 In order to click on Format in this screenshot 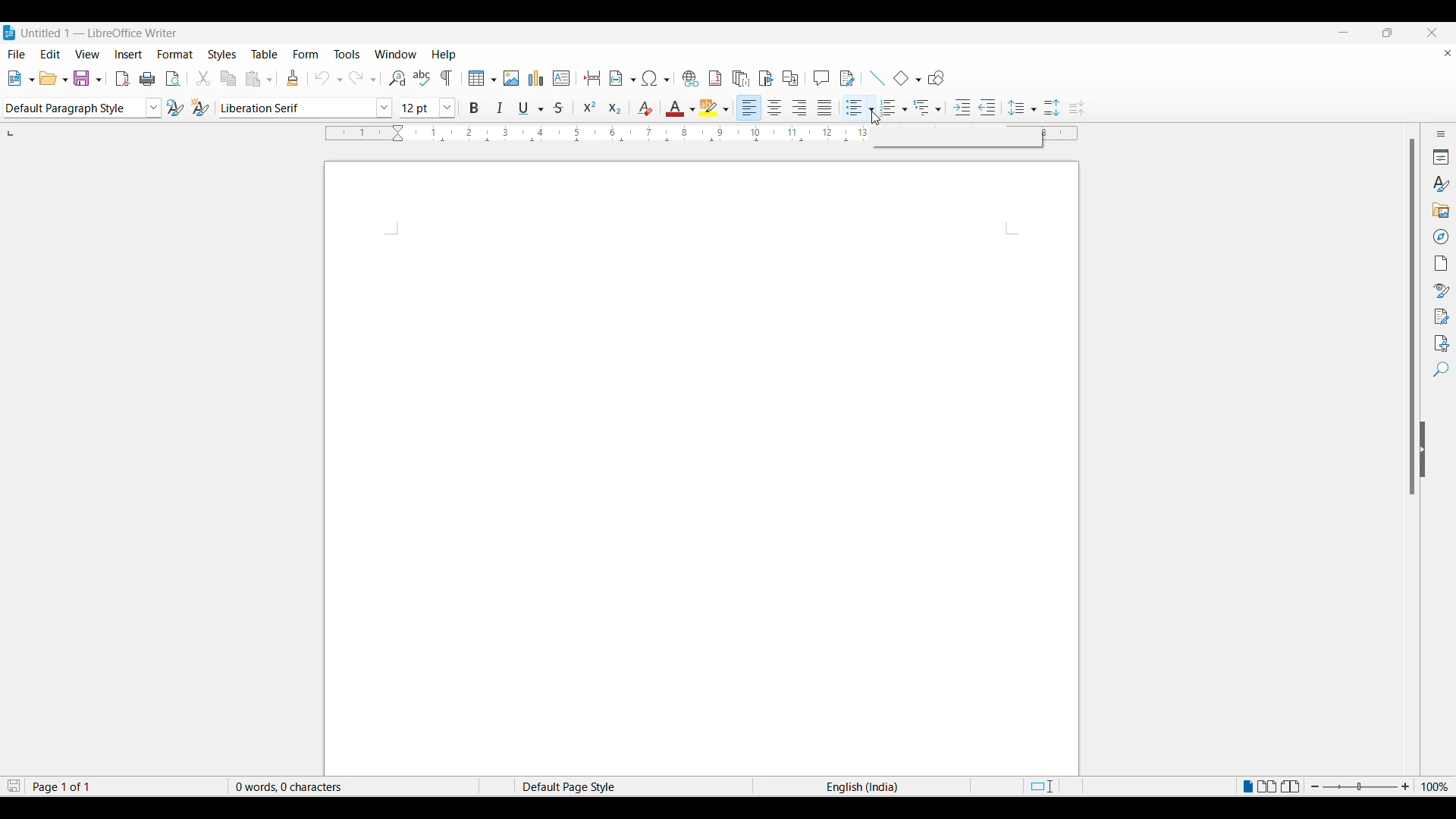, I will do `click(174, 53)`.